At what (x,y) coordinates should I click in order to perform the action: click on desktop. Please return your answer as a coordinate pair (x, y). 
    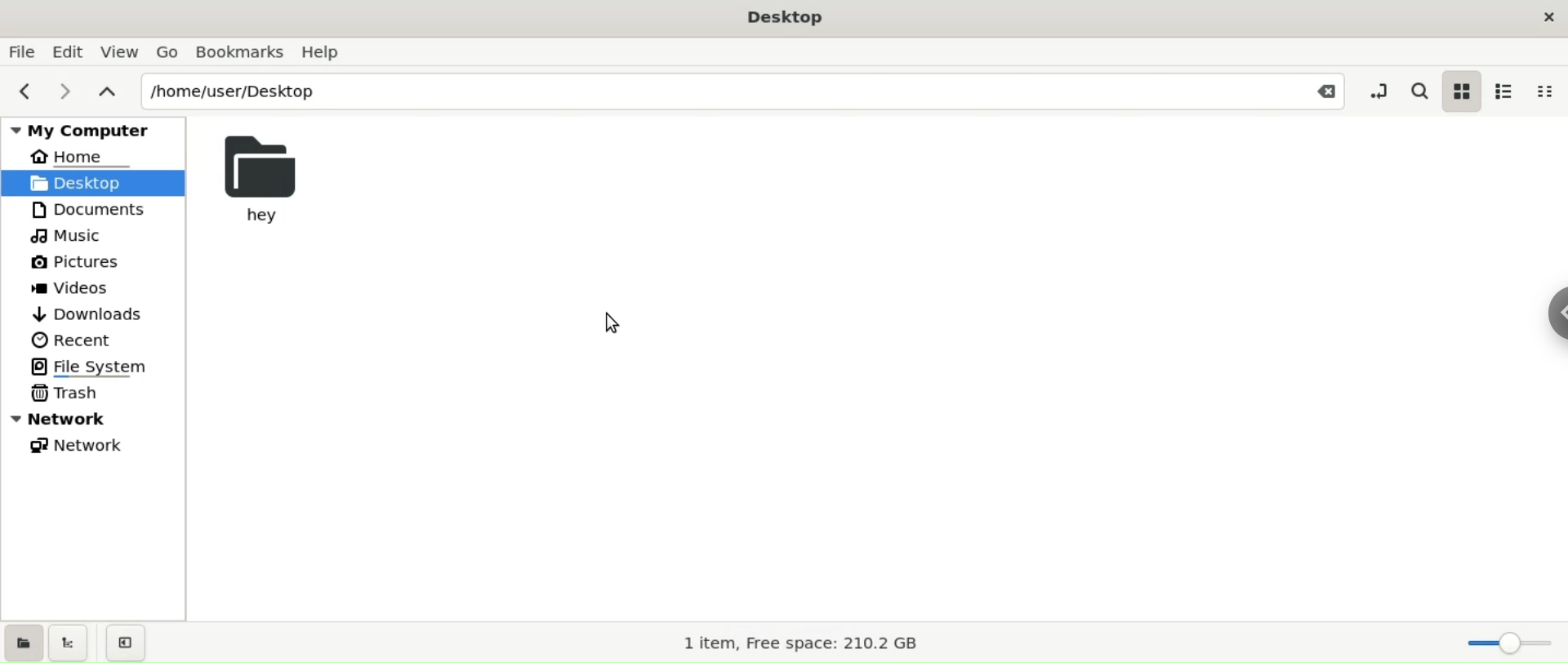
    Looking at the image, I should click on (92, 181).